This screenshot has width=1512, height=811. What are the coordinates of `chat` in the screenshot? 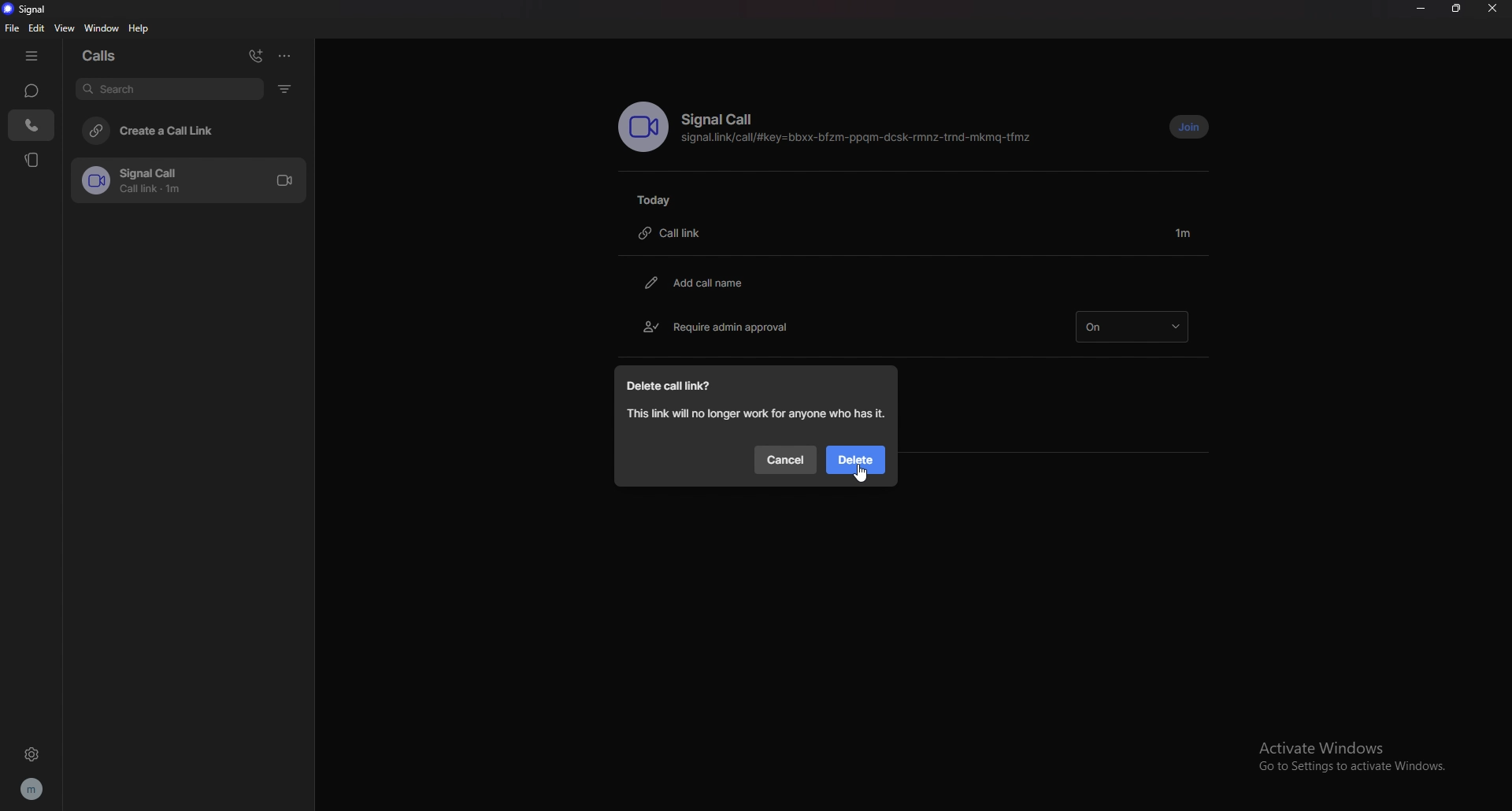 It's located at (32, 91).